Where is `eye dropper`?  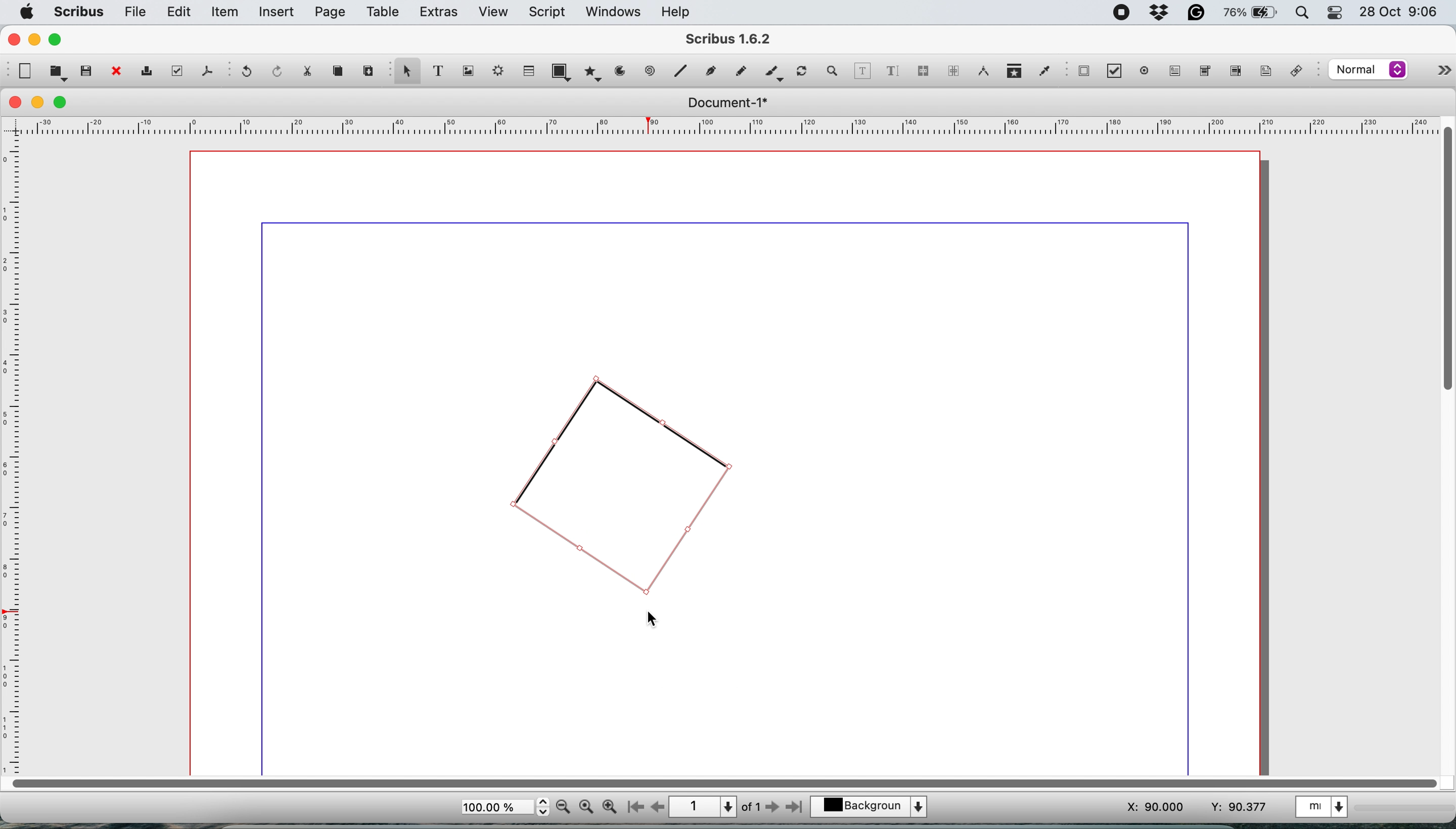 eye dropper is located at coordinates (1044, 70).